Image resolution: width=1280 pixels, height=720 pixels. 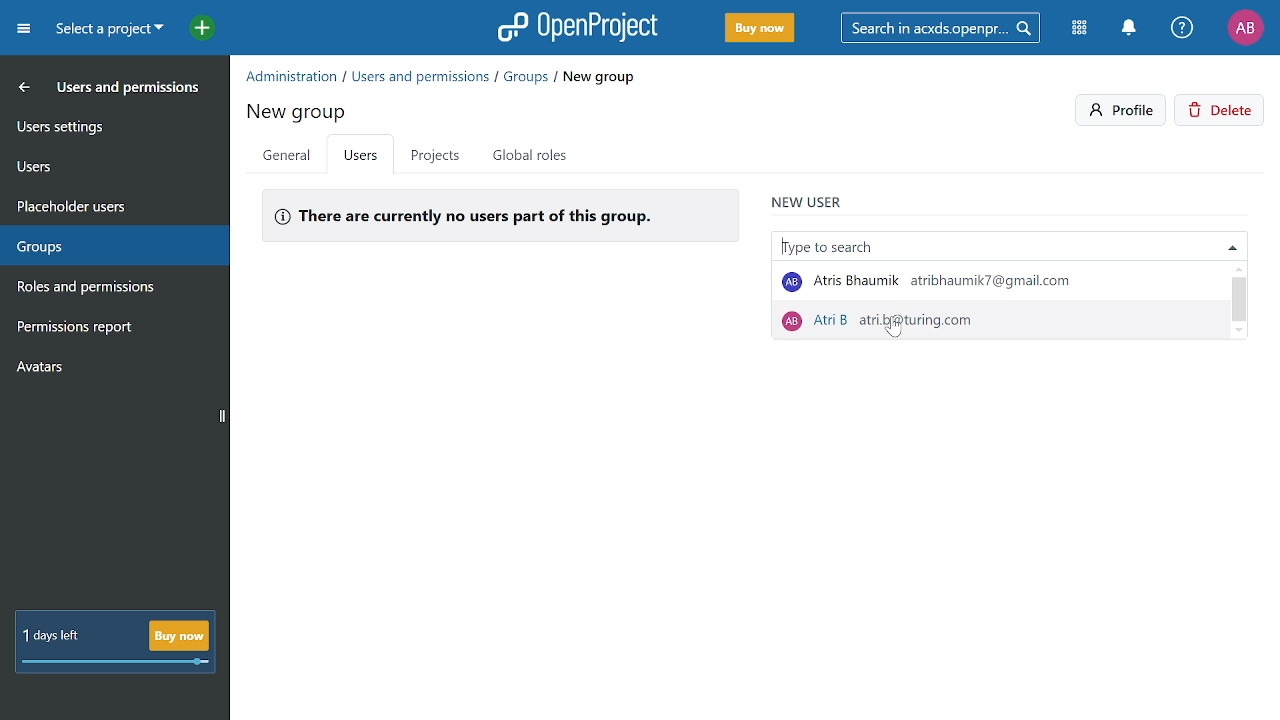 I want to click on Delete, so click(x=1222, y=112).